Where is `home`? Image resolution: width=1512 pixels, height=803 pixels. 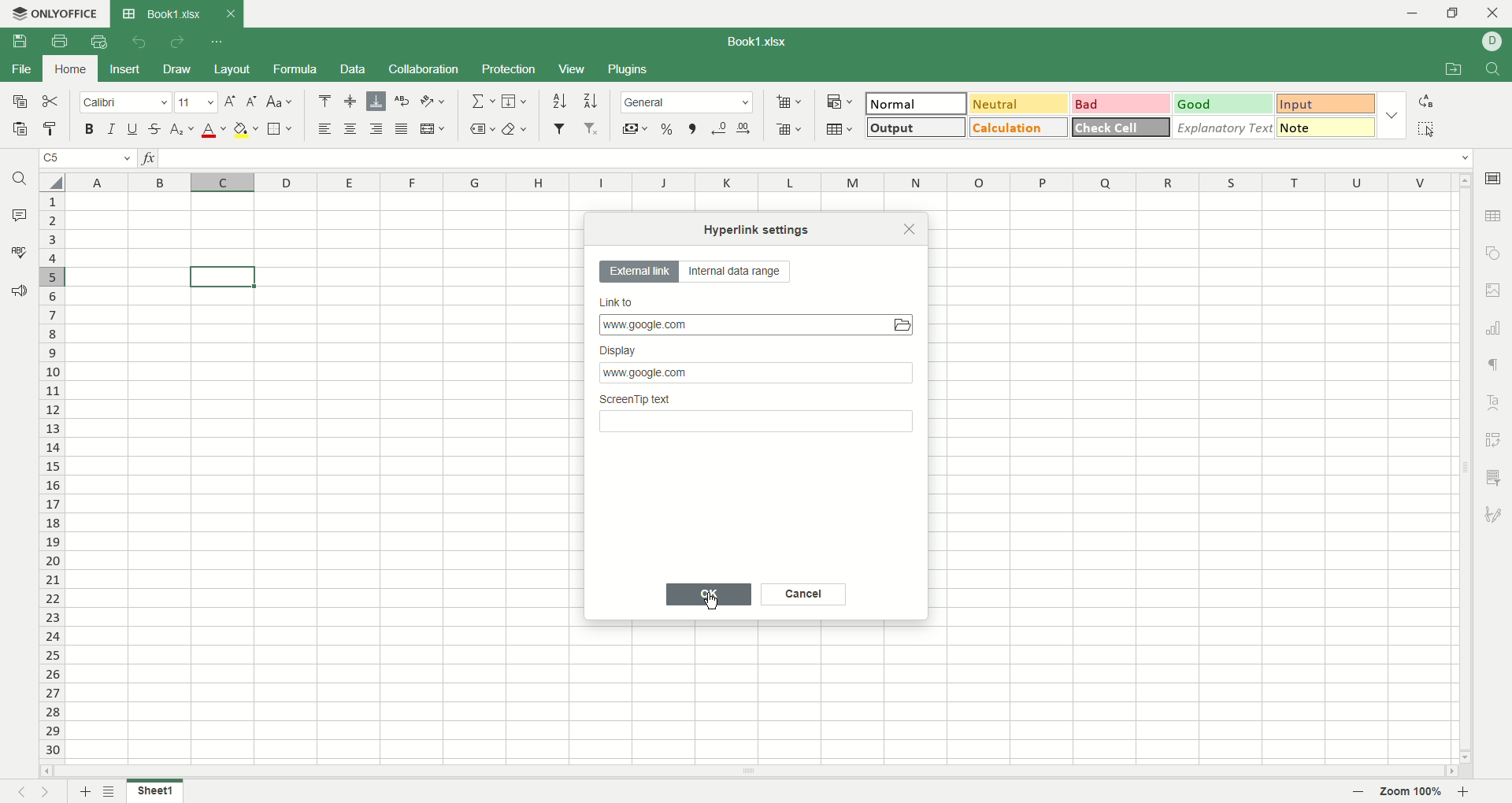 home is located at coordinates (72, 68).